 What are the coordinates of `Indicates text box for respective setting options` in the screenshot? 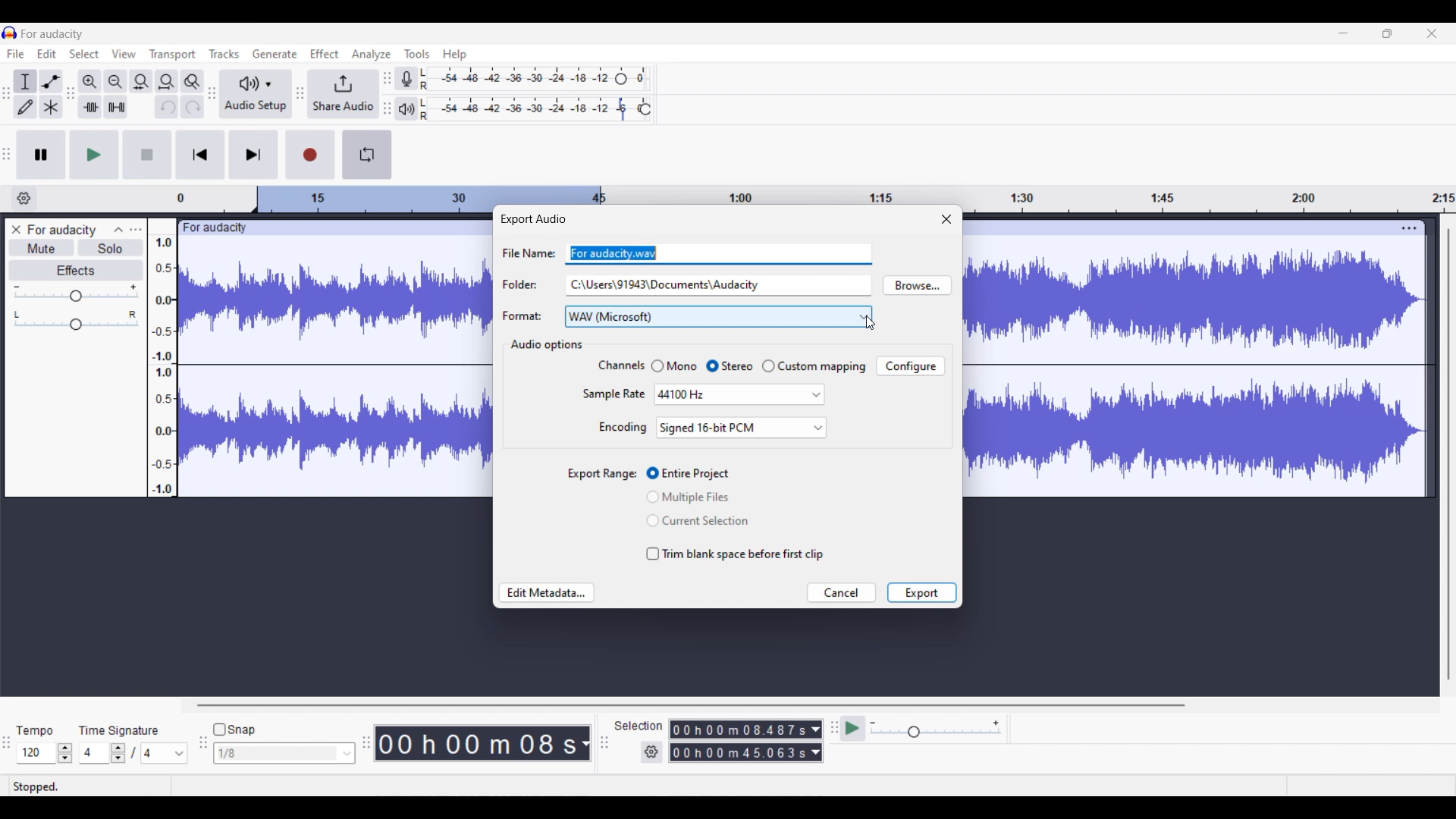 It's located at (527, 284).